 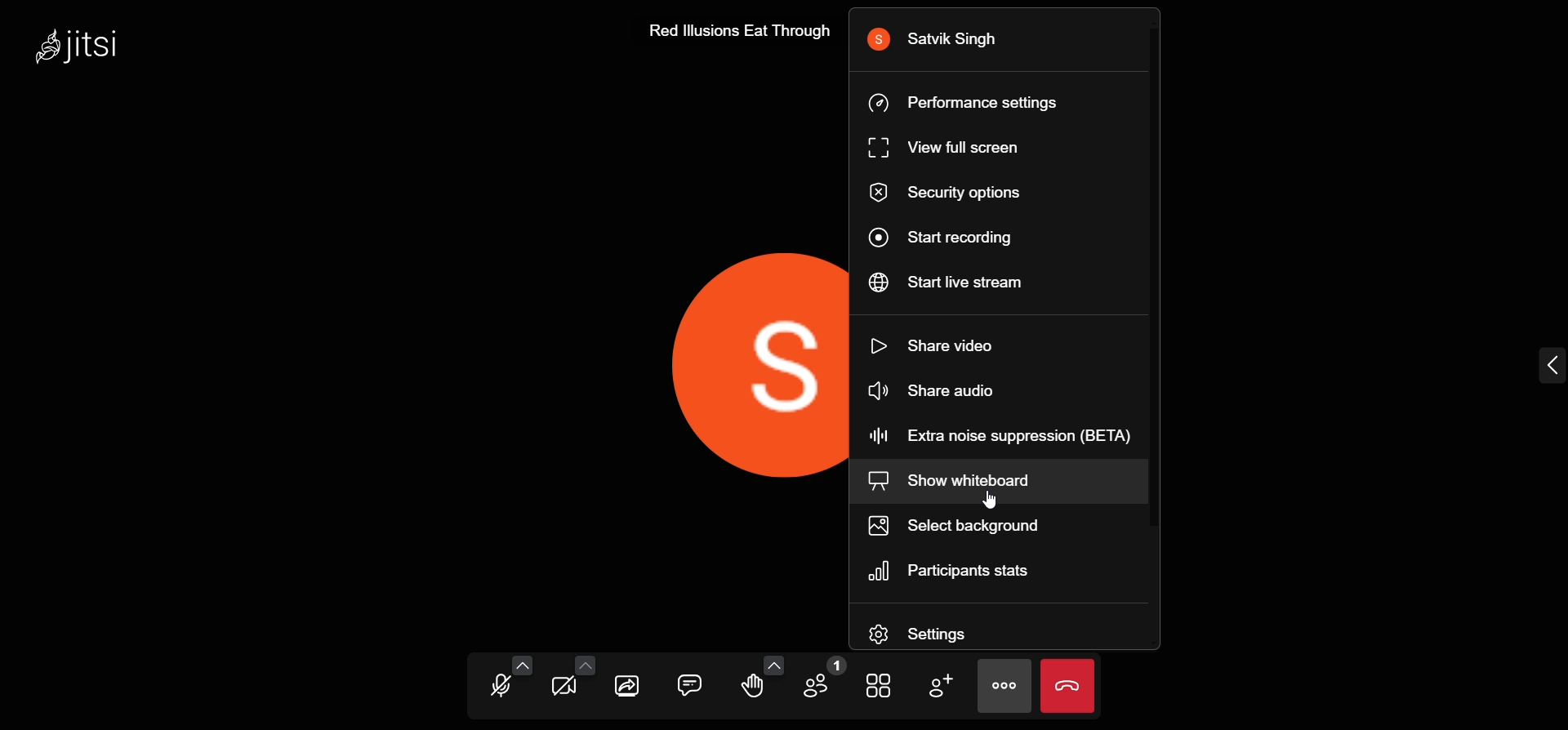 I want to click on share video, so click(x=947, y=344).